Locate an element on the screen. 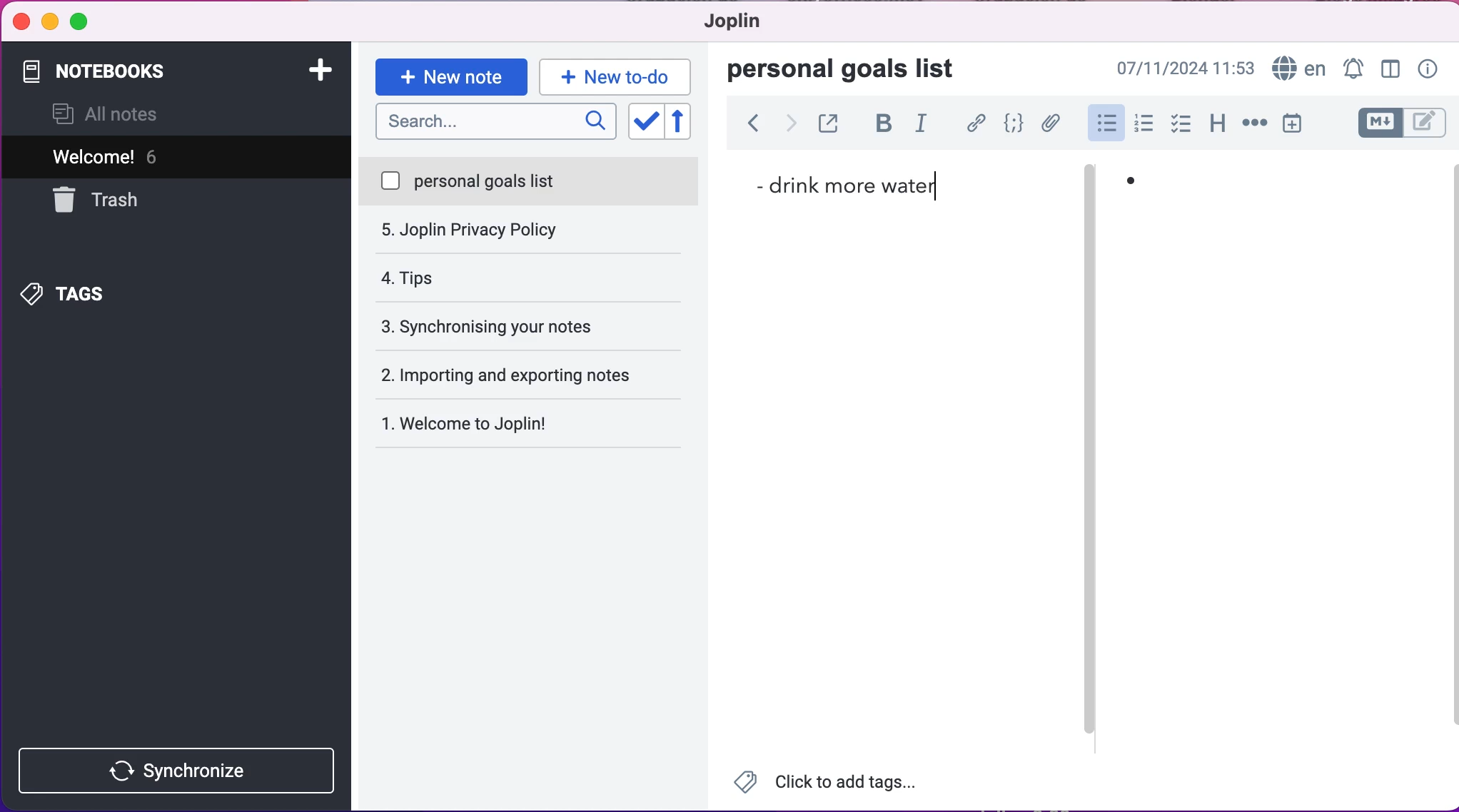 The width and height of the screenshot is (1459, 812). trash is located at coordinates (131, 200).